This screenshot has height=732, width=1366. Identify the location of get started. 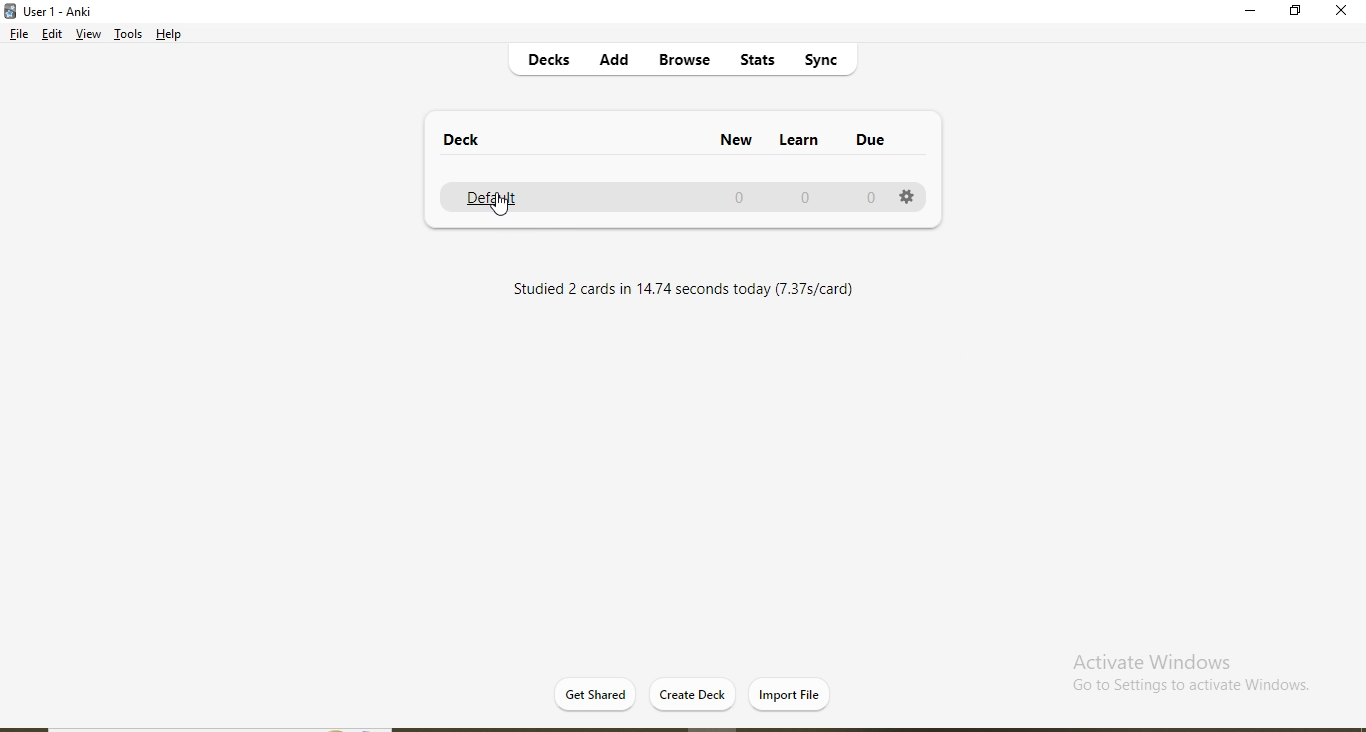
(599, 693).